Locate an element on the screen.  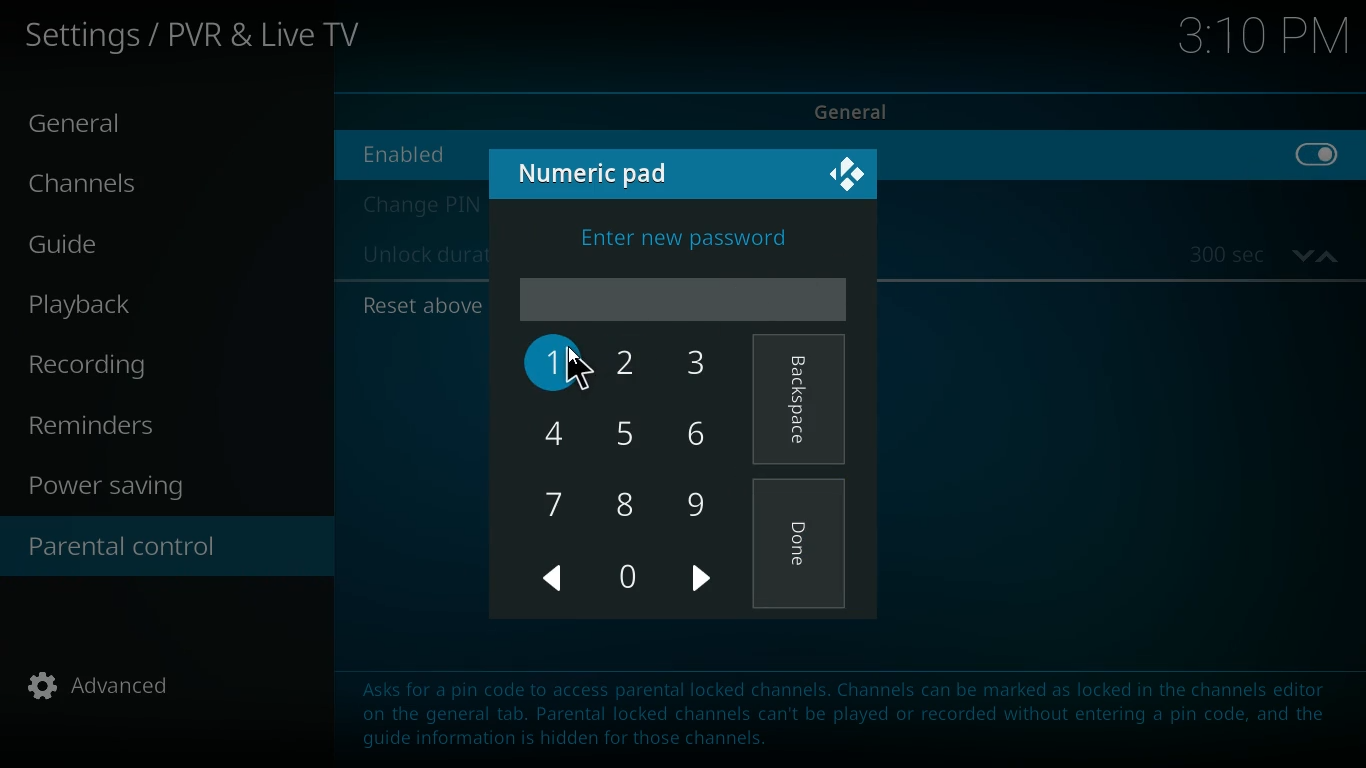
time is located at coordinates (1264, 255).